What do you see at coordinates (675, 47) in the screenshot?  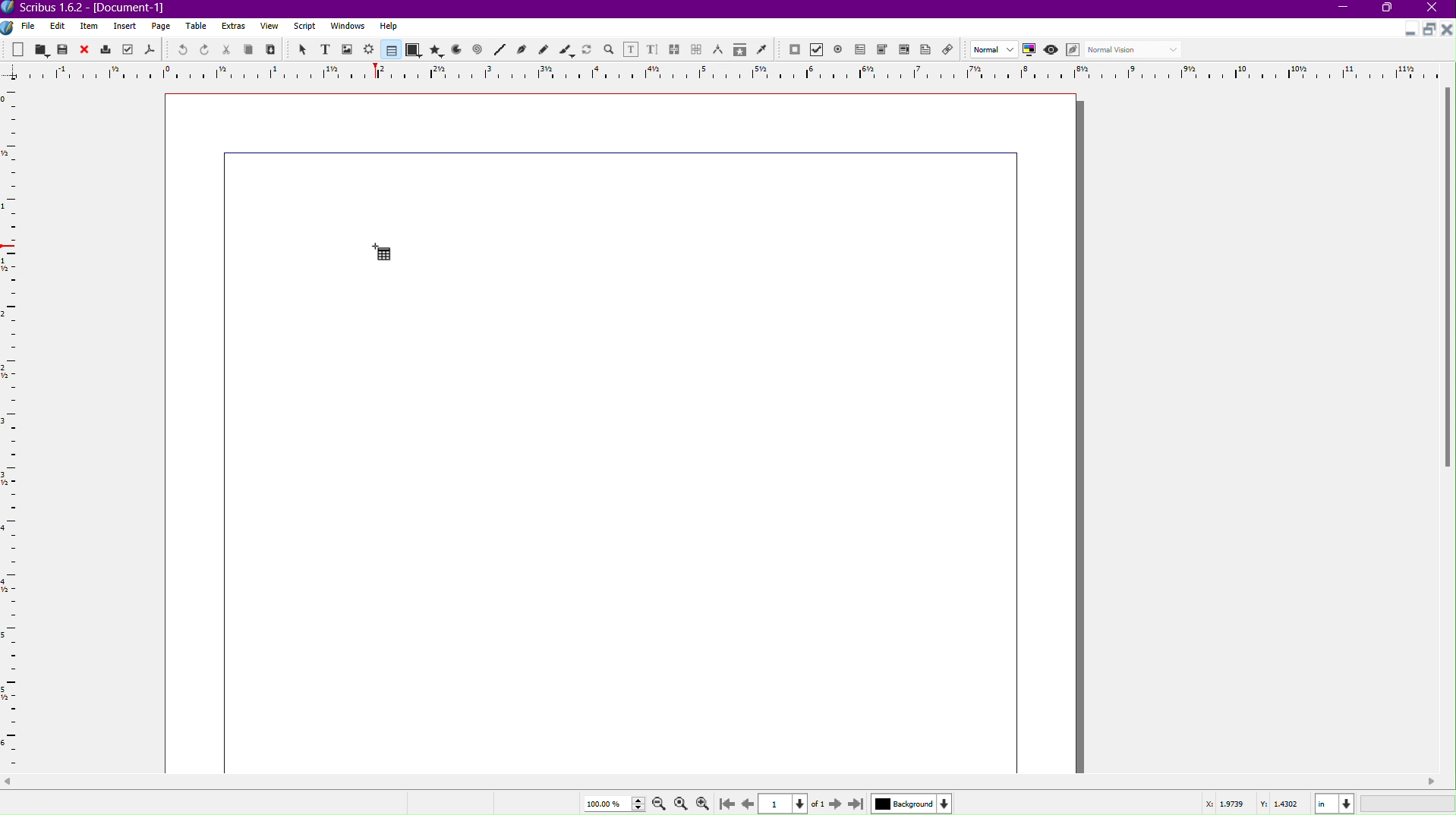 I see `Link Text Frames` at bounding box center [675, 47].